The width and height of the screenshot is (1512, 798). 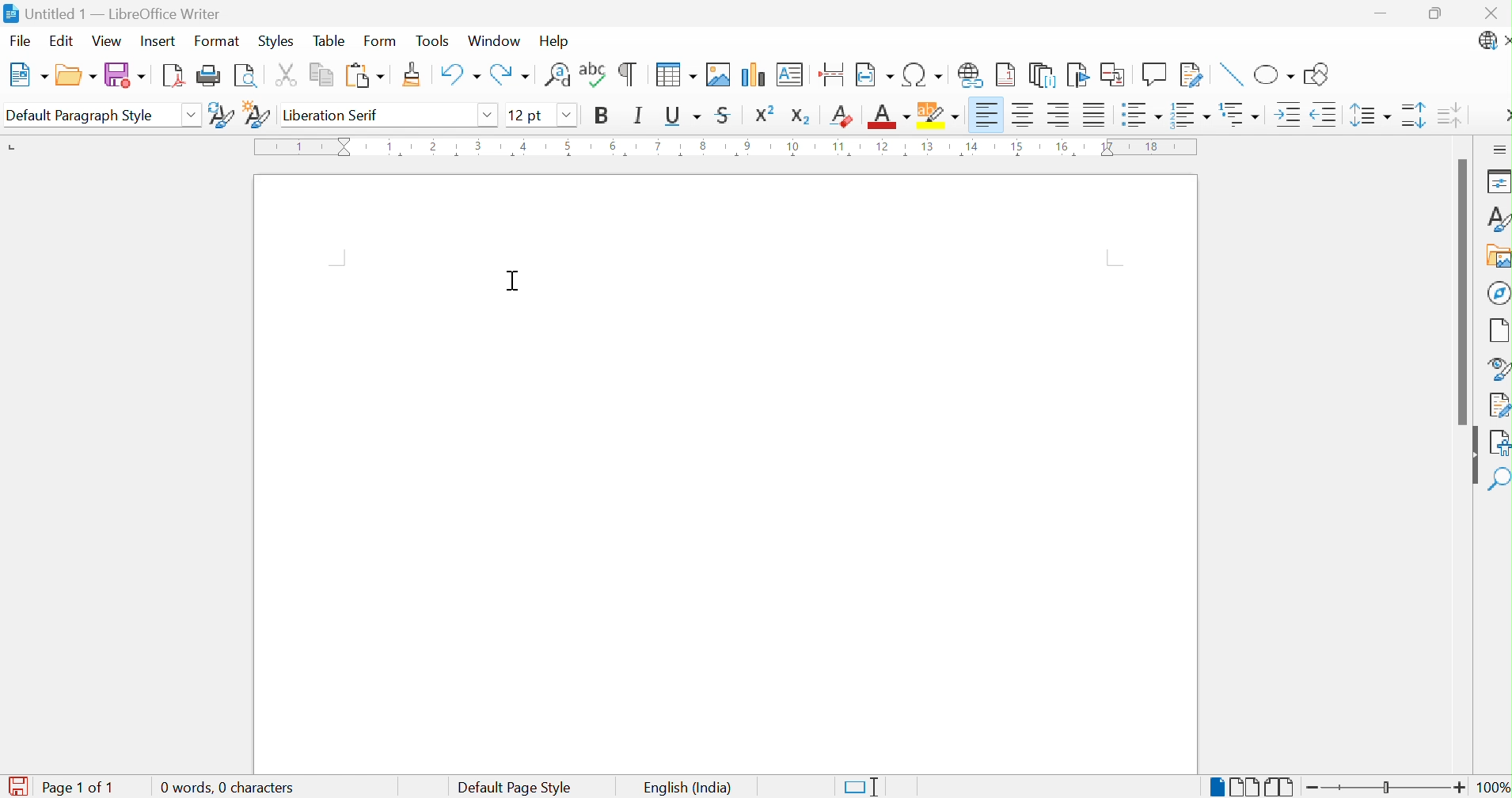 I want to click on Form, so click(x=382, y=41).